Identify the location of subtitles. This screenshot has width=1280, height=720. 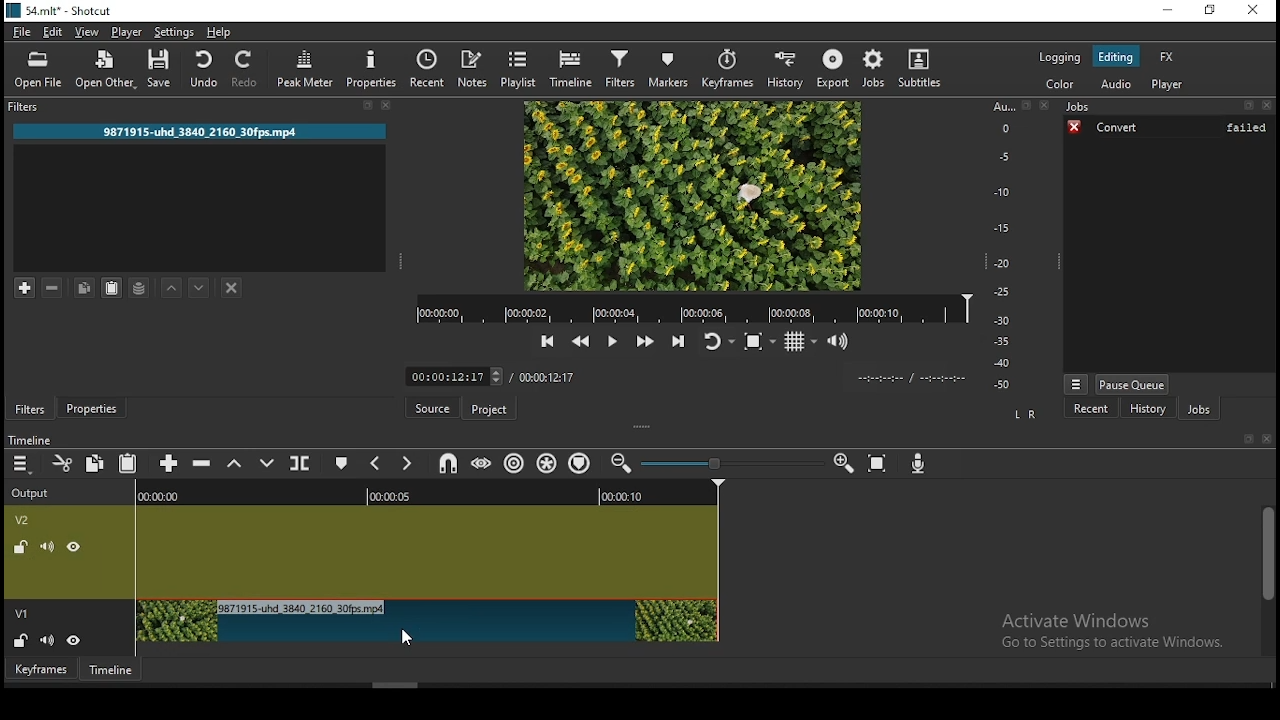
(921, 68).